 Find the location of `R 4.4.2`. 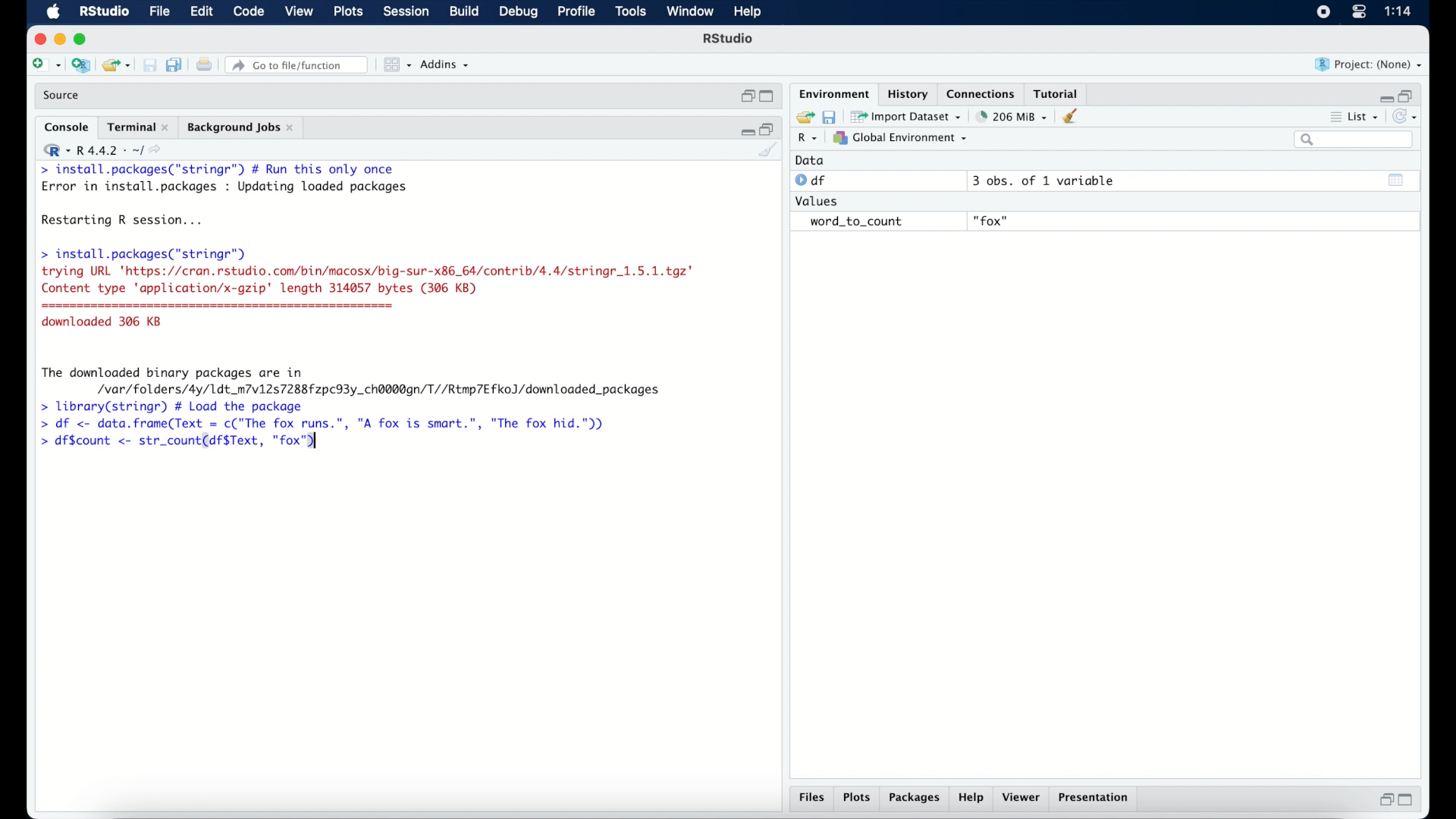

R 4.4.2 is located at coordinates (102, 150).